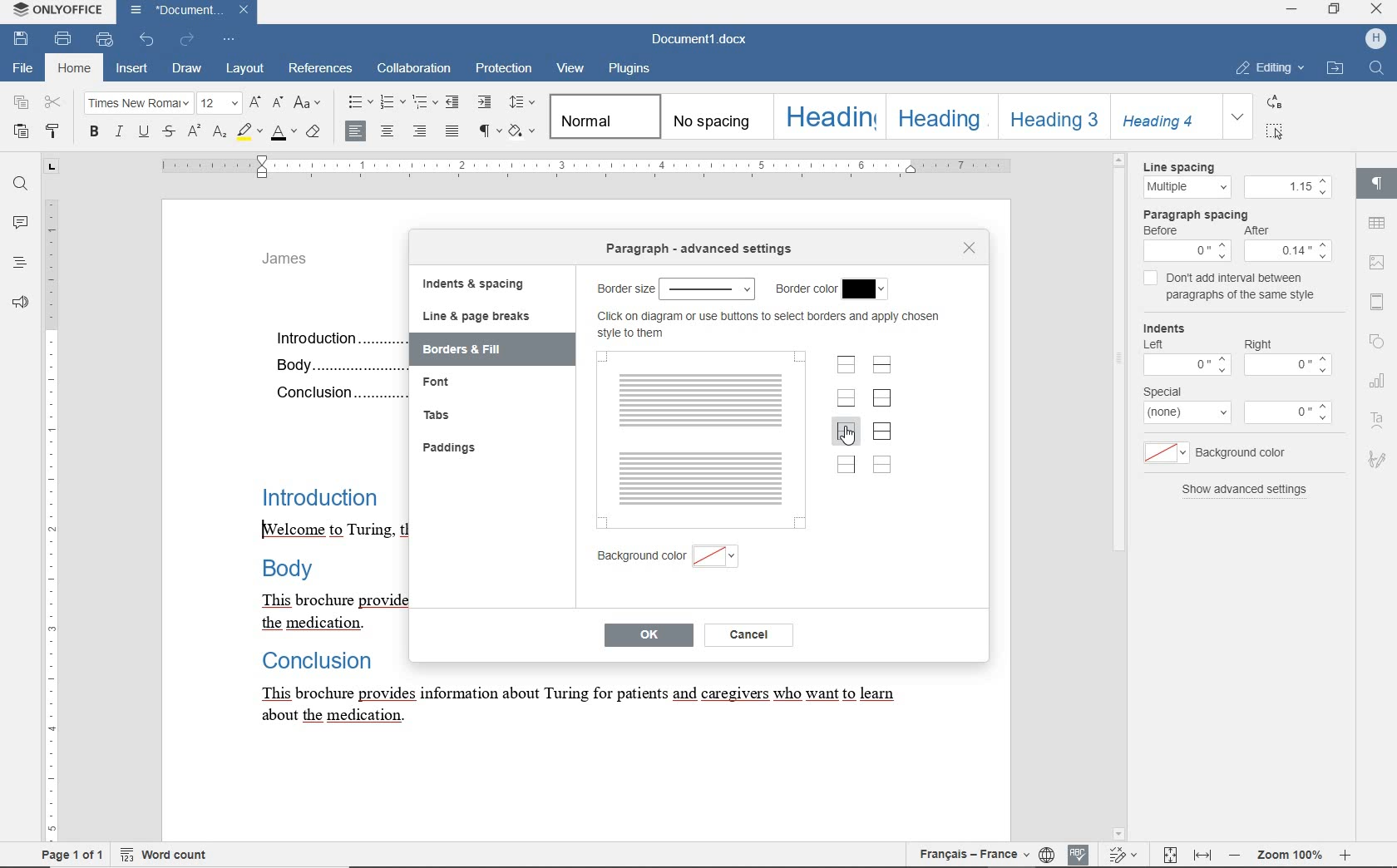 The width and height of the screenshot is (1397, 868). Describe the element at coordinates (1276, 133) in the screenshot. I see `select all` at that location.